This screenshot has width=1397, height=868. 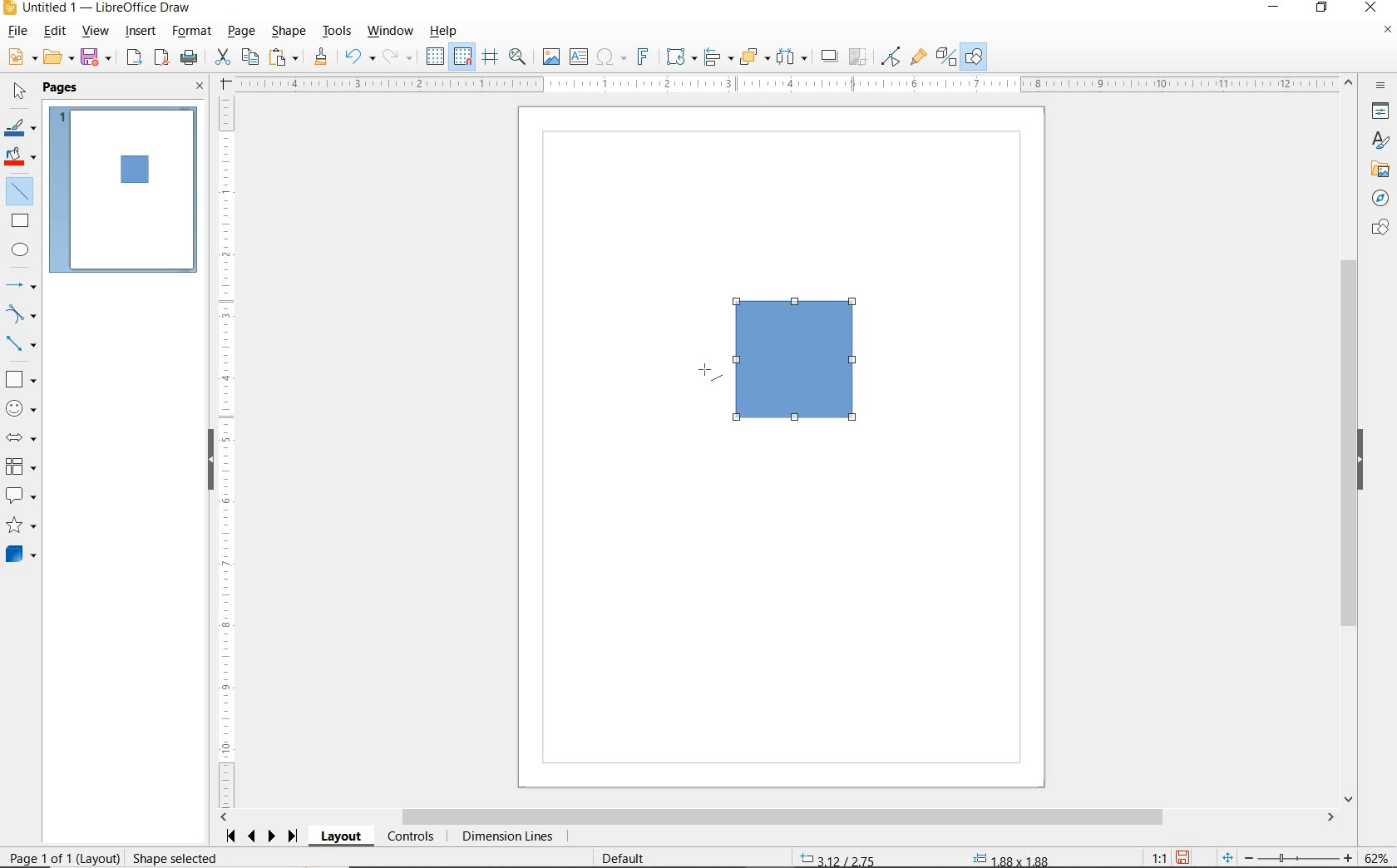 I want to click on CLOSE, so click(x=200, y=87).